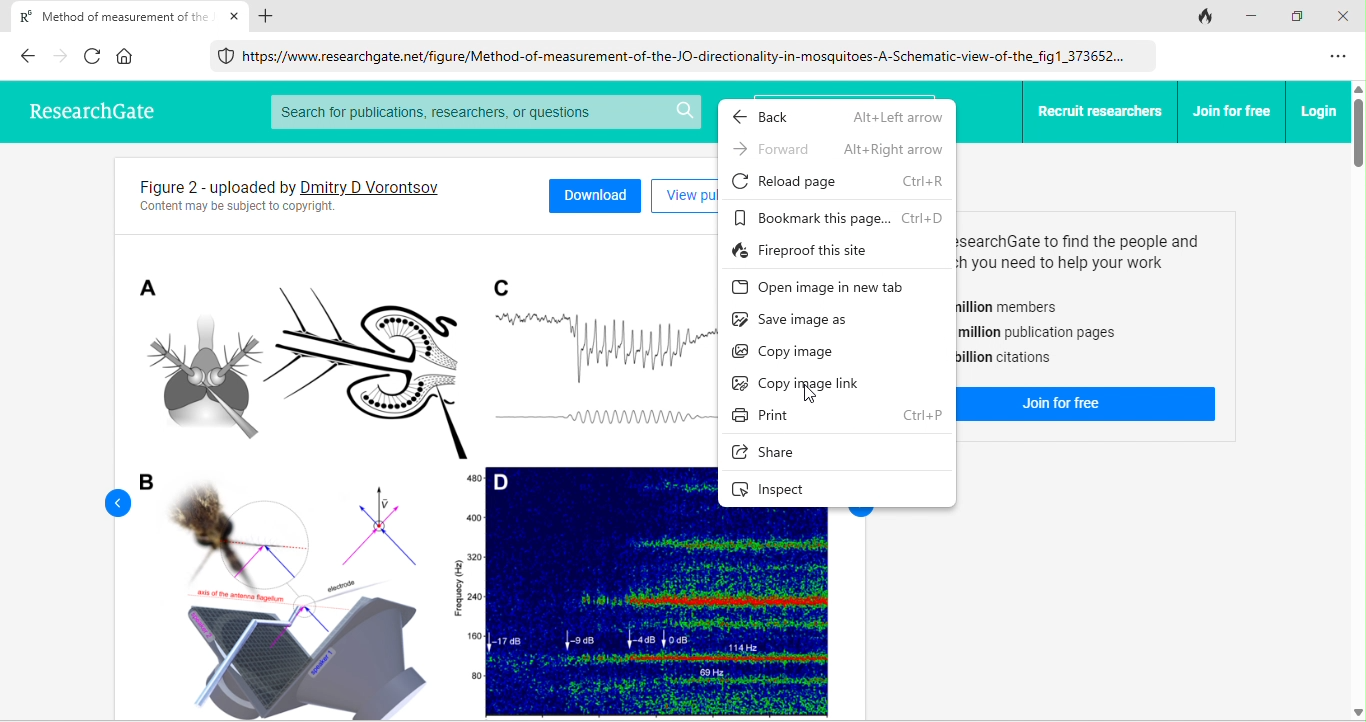 This screenshot has width=1366, height=722. I want to click on save image as, so click(815, 319).